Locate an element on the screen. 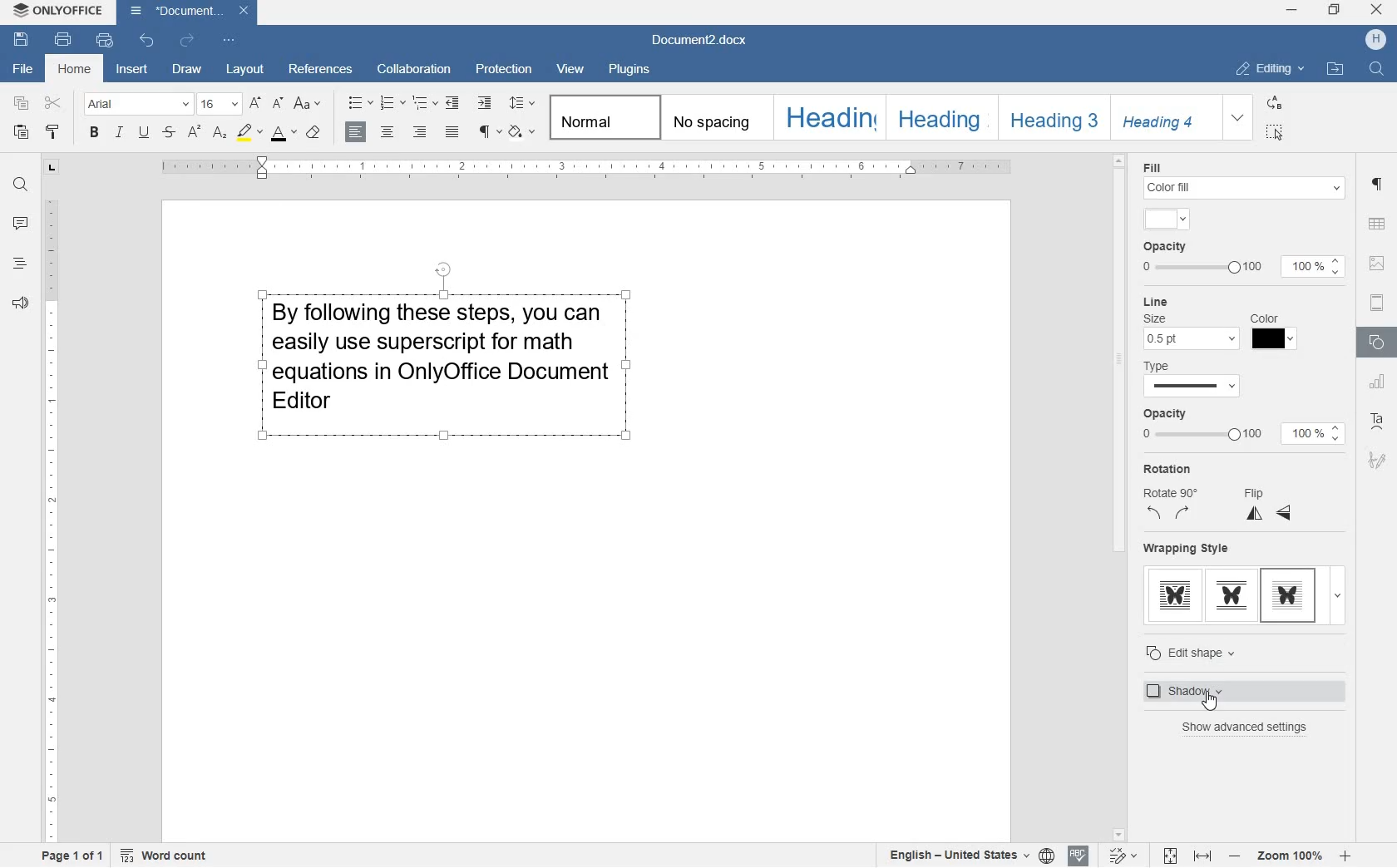 This screenshot has height=868, width=1397. shading is located at coordinates (522, 131).